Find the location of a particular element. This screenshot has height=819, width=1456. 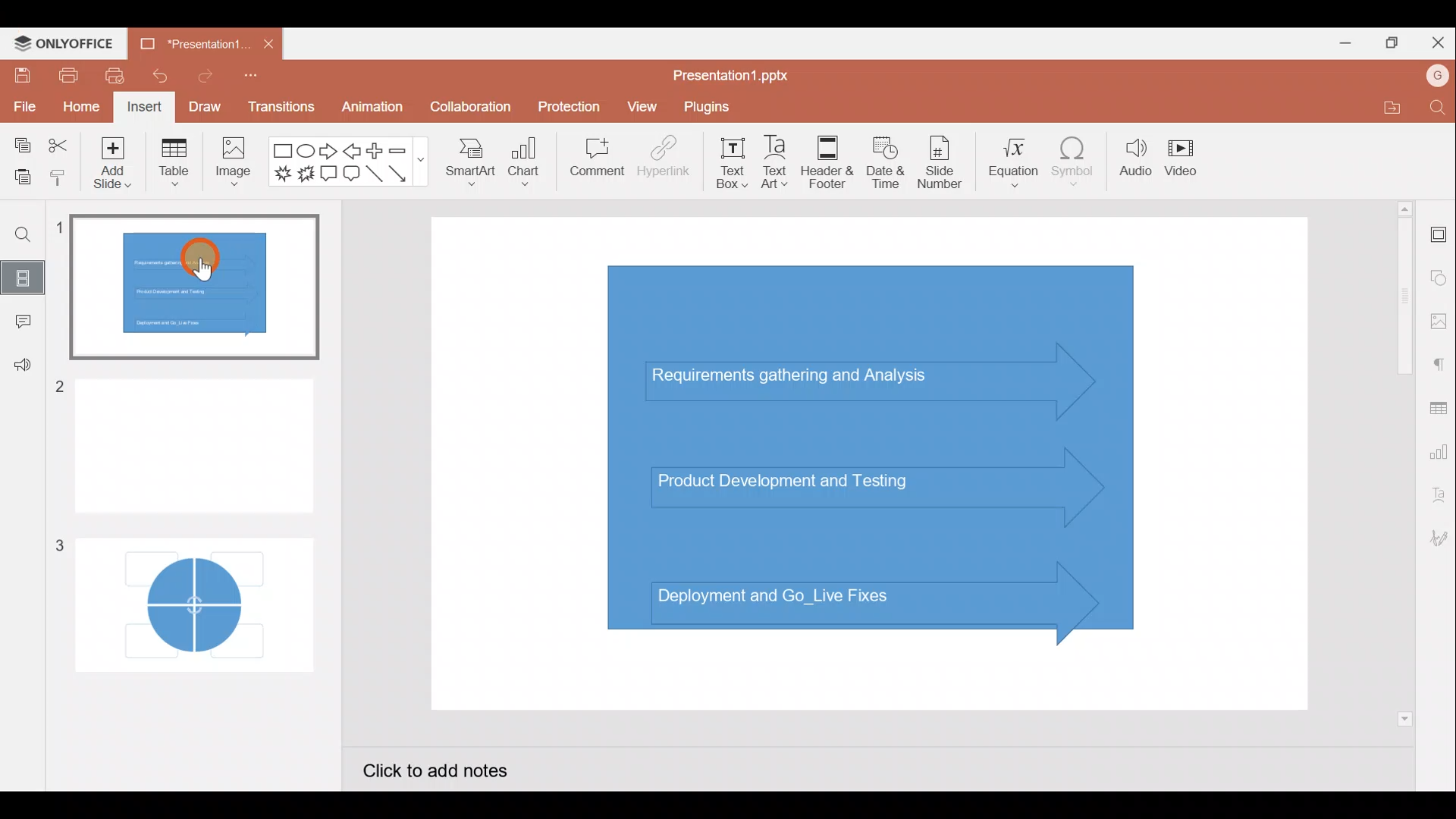

File is located at coordinates (23, 106).